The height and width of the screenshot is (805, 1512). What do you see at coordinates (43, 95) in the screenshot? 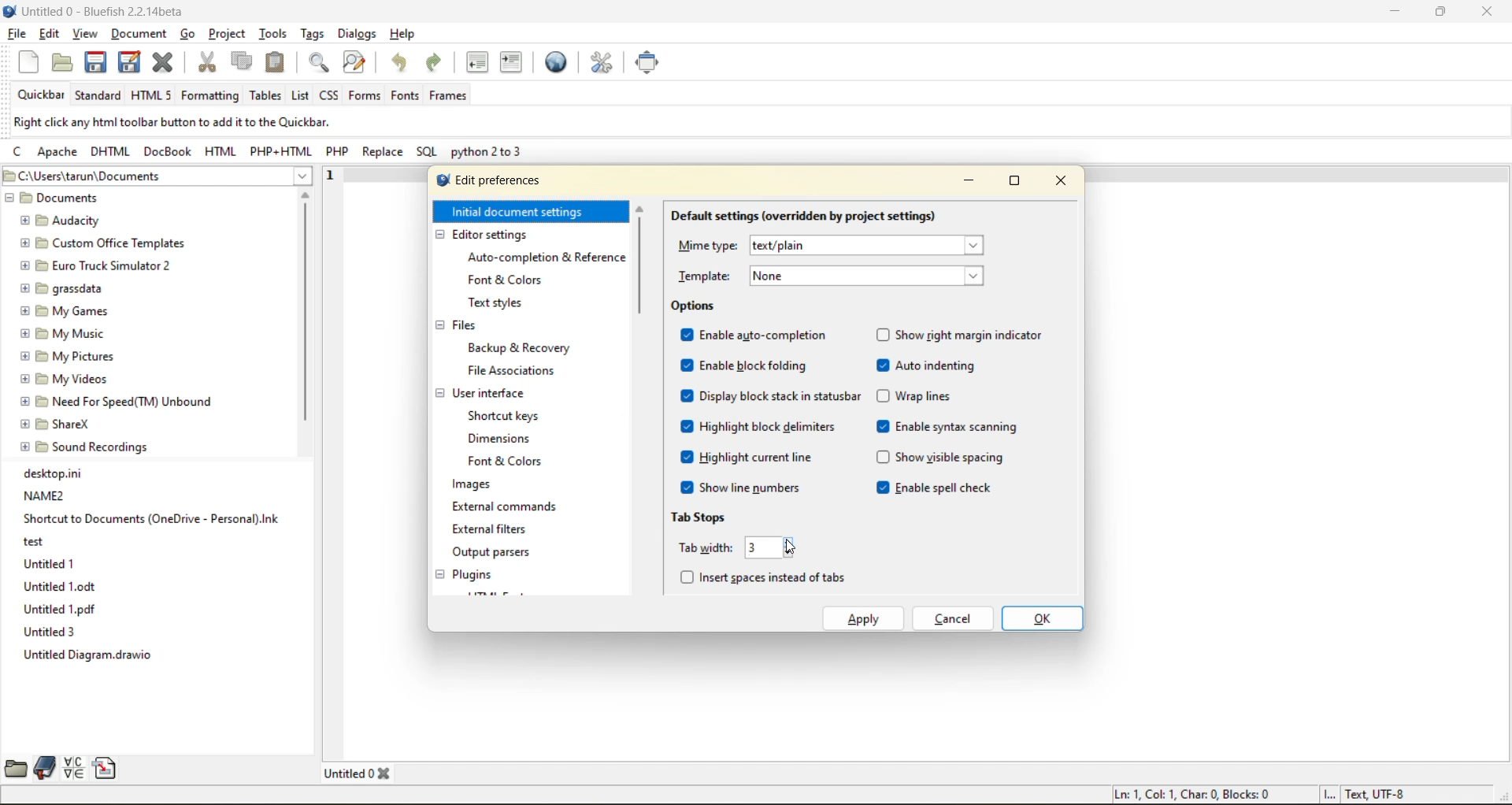
I see `quickbar` at bounding box center [43, 95].